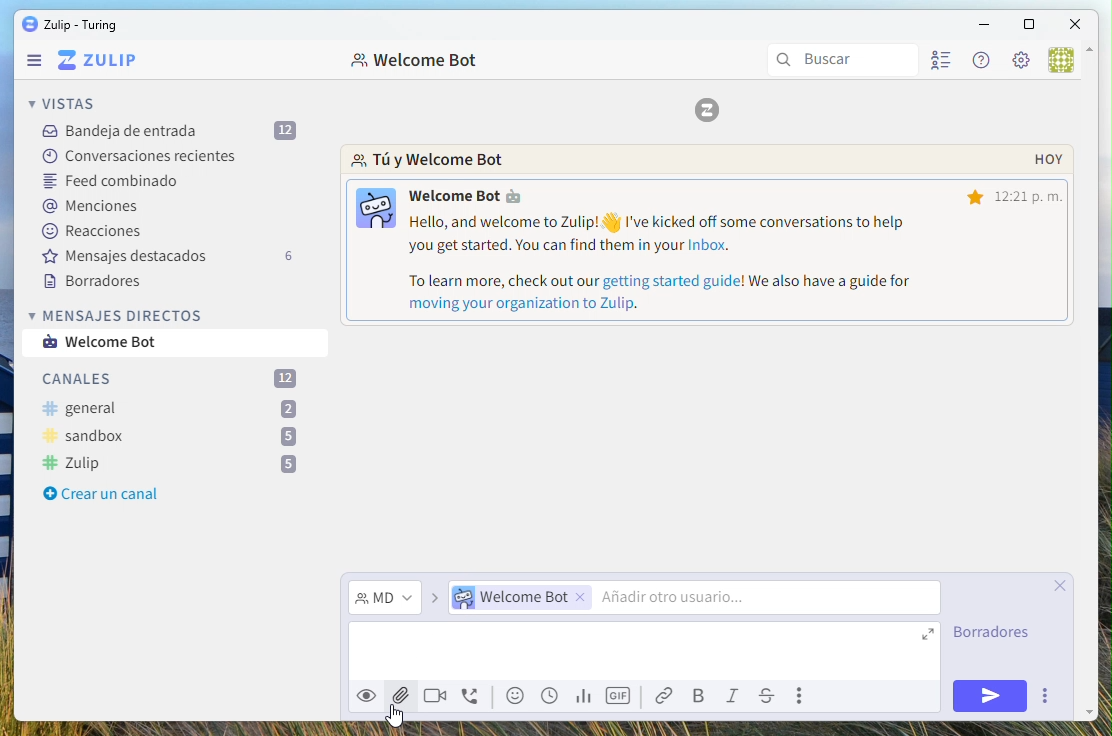 This screenshot has height=736, width=1112. Describe the element at coordinates (98, 283) in the screenshot. I see `Drafts` at that location.